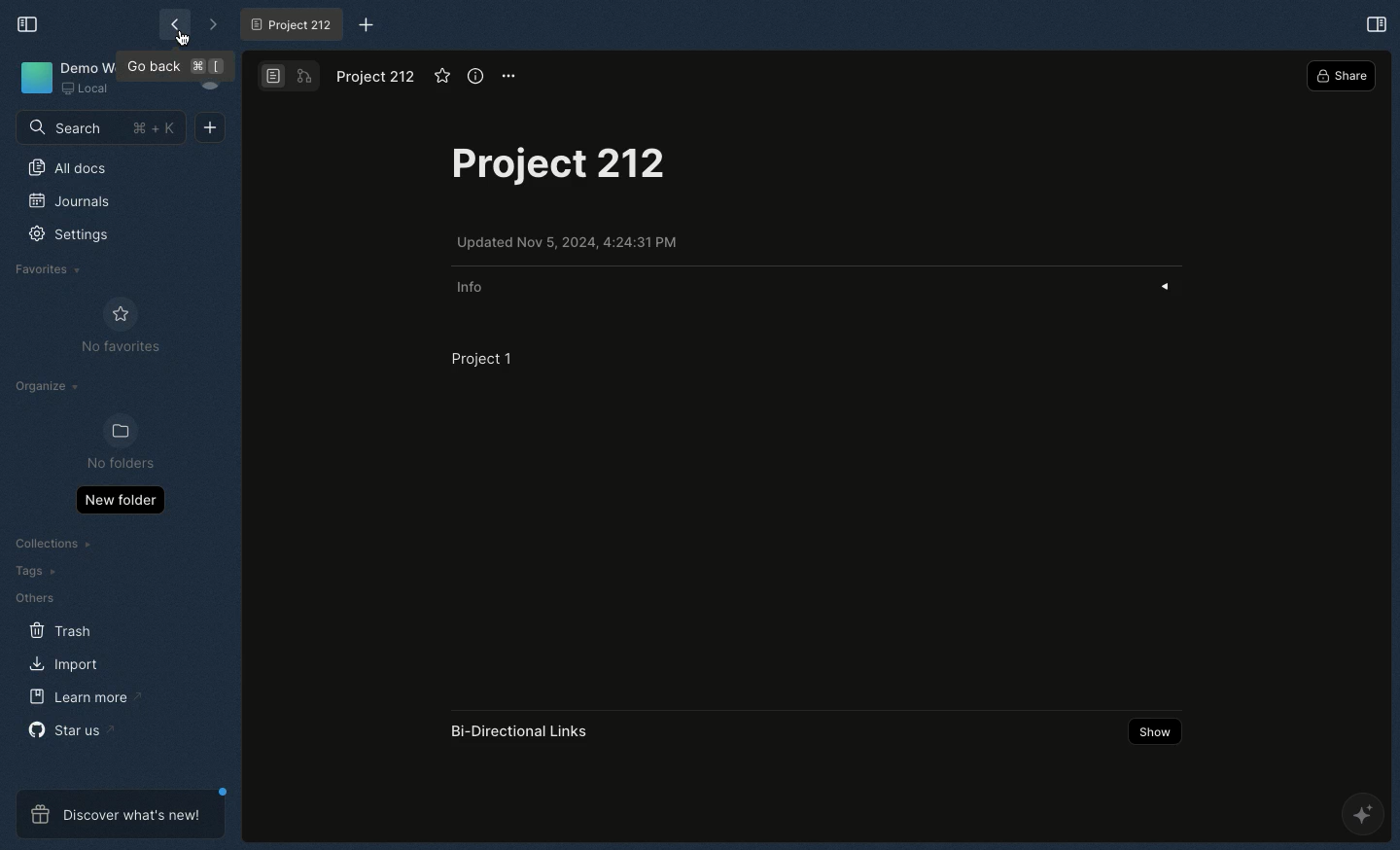 Image resolution: width=1400 pixels, height=850 pixels. I want to click on Project 2, so click(290, 24).